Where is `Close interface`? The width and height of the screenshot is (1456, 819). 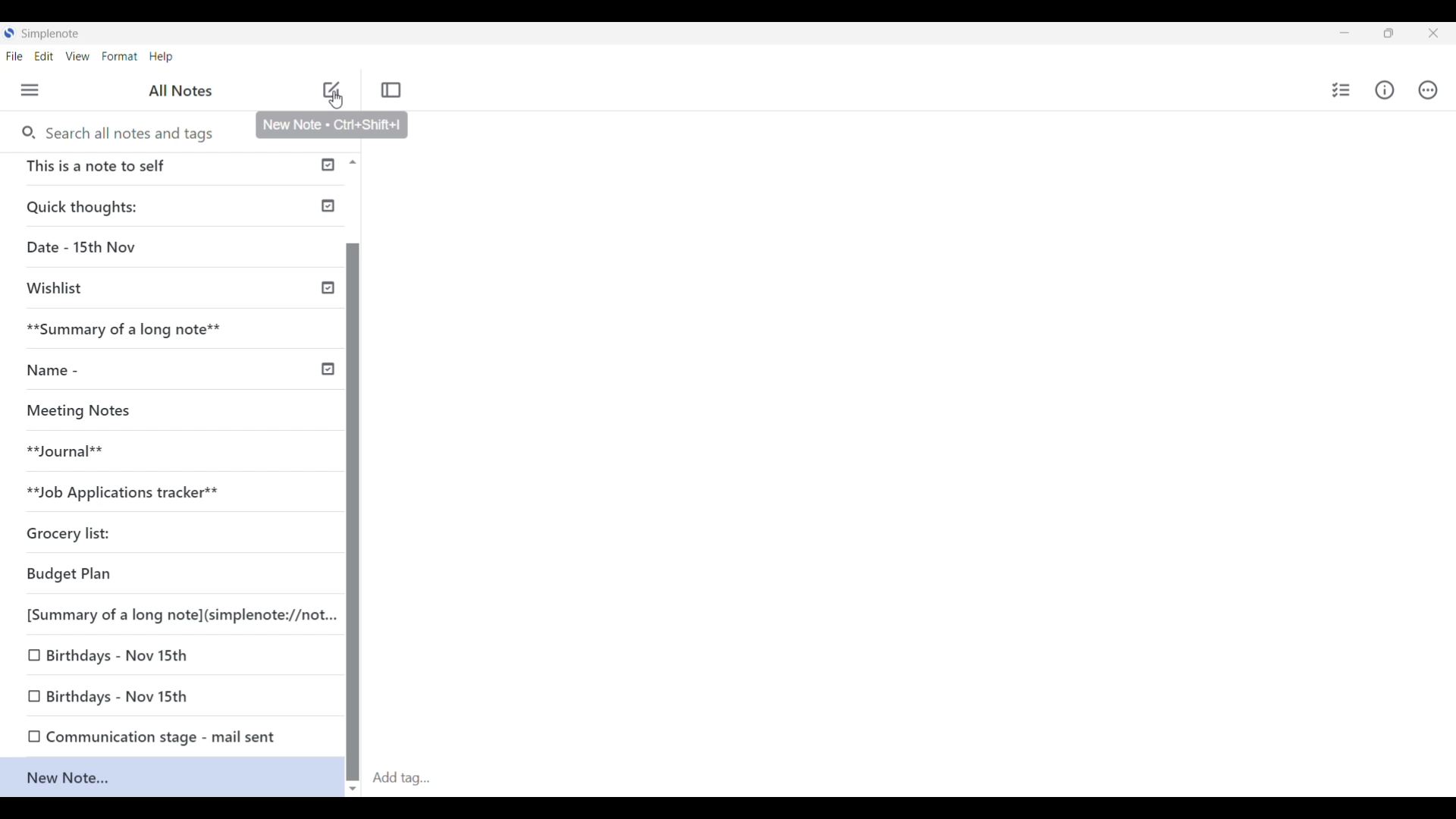
Close interface is located at coordinates (1433, 33).